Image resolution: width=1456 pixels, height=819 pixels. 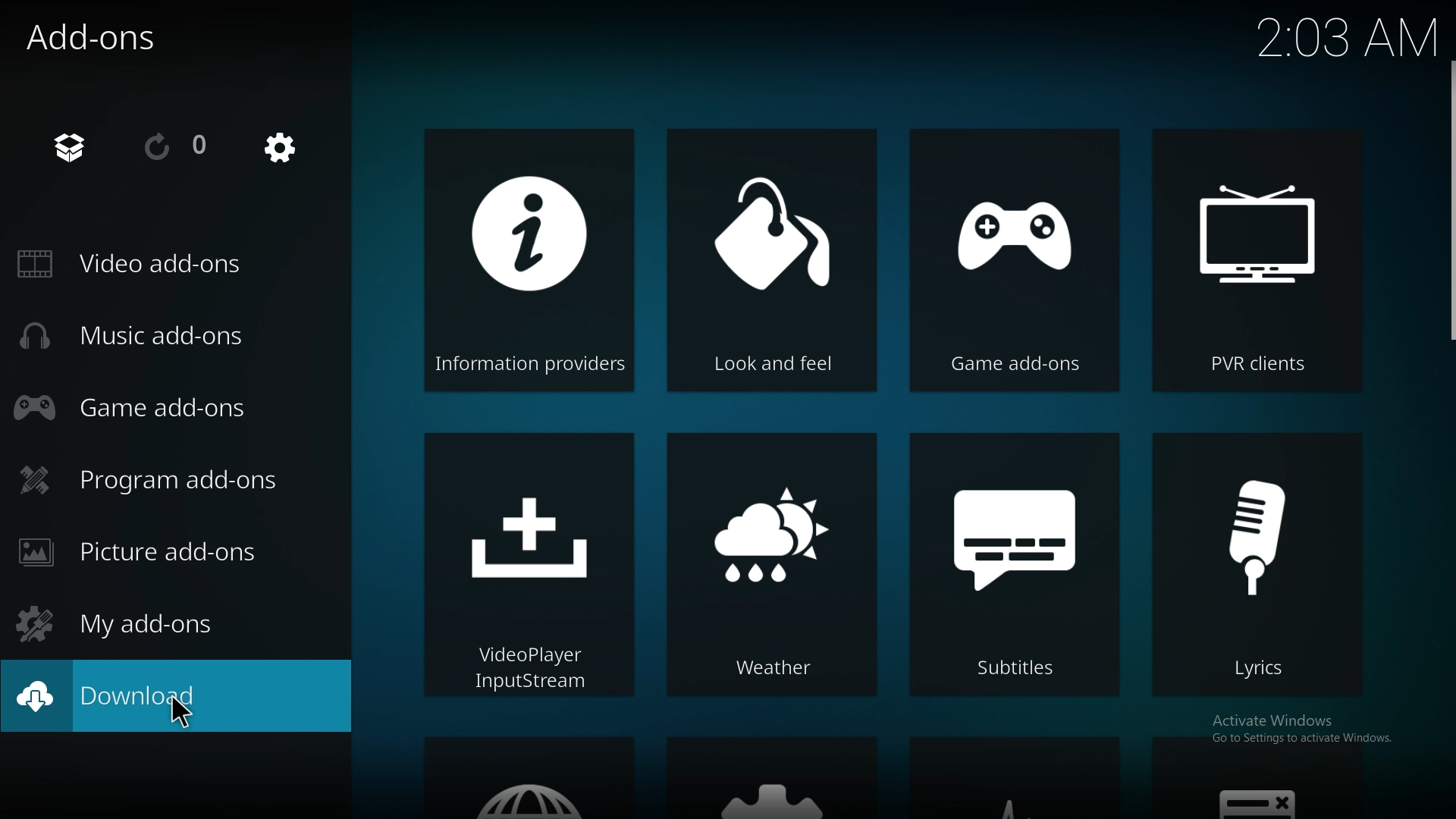 What do you see at coordinates (155, 406) in the screenshot?
I see `game add ons` at bounding box center [155, 406].